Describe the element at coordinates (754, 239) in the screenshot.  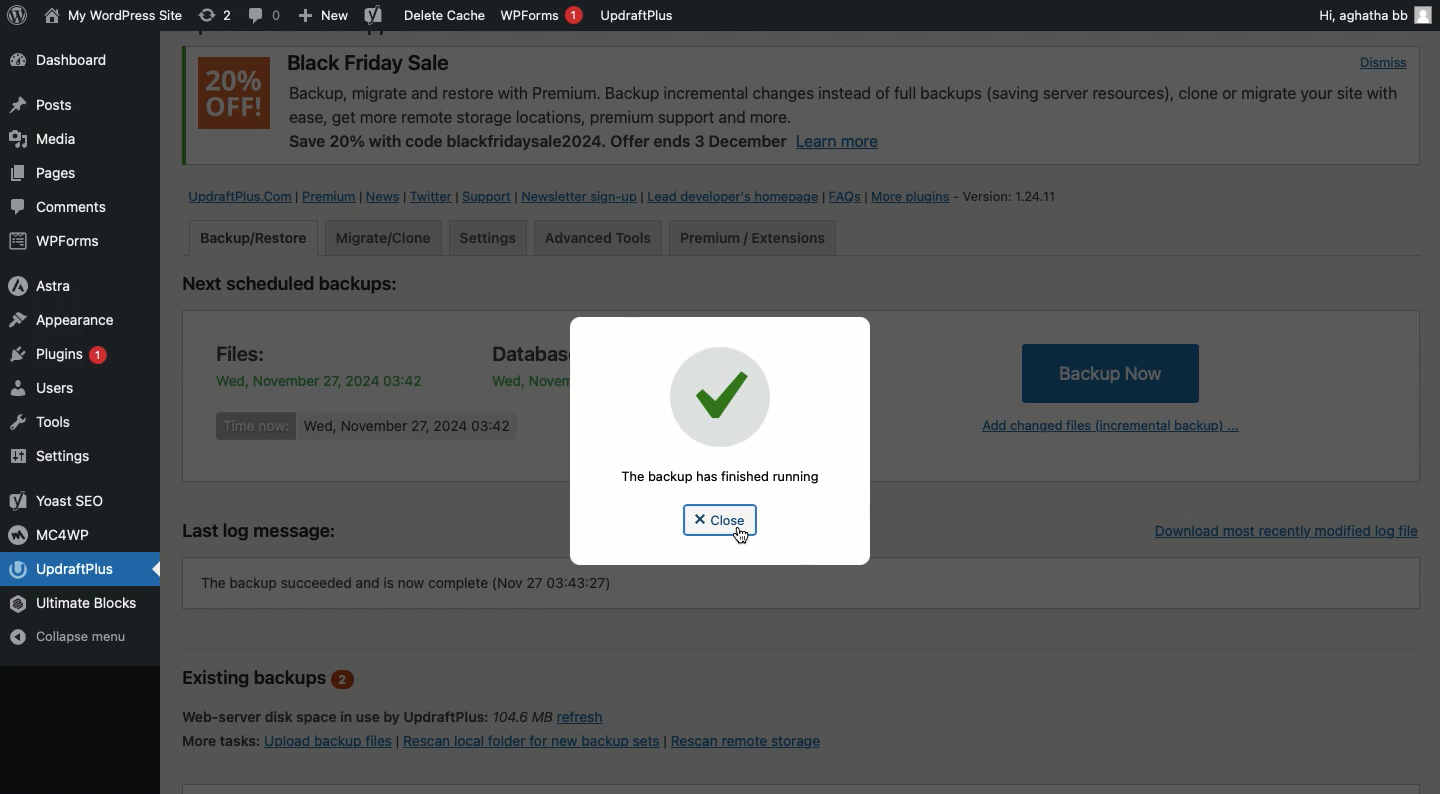
I see `Premium extensions` at that location.